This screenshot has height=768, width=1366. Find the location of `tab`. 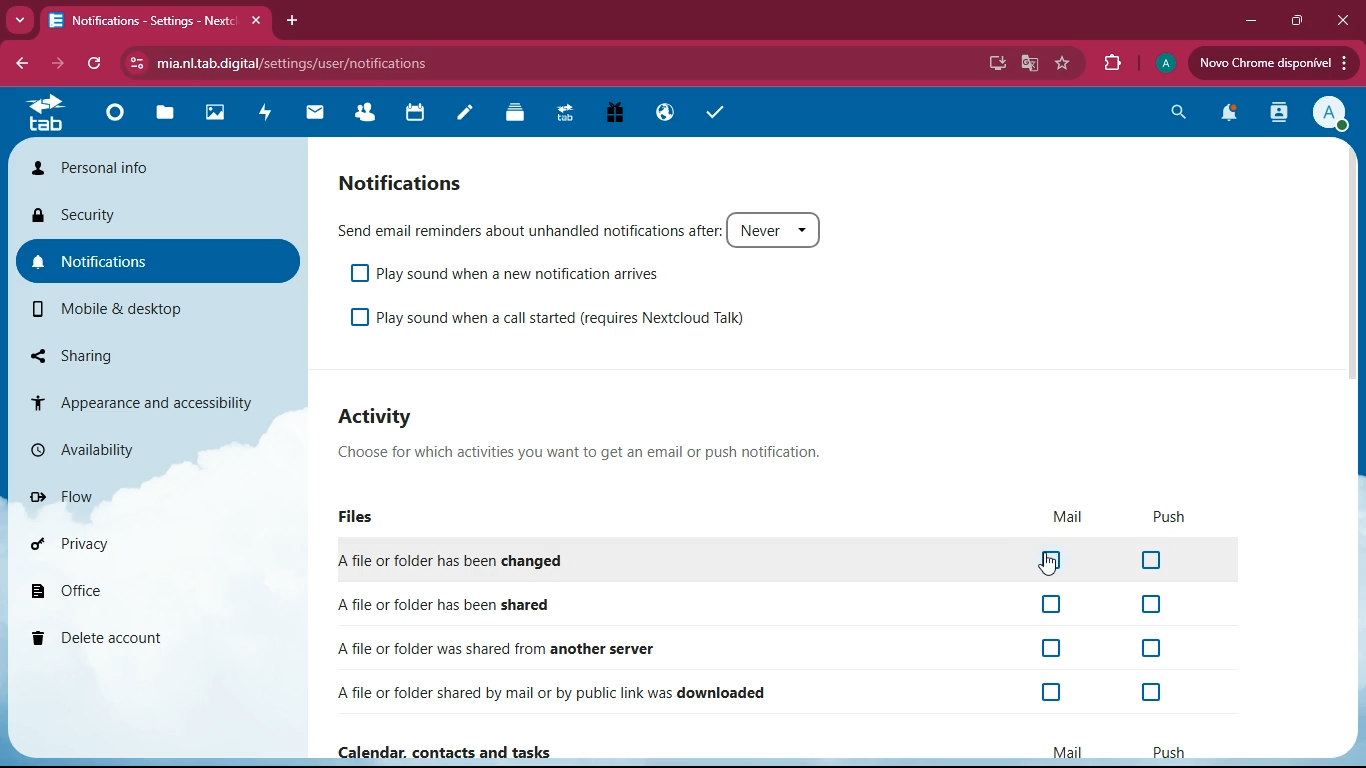

tab is located at coordinates (154, 21).